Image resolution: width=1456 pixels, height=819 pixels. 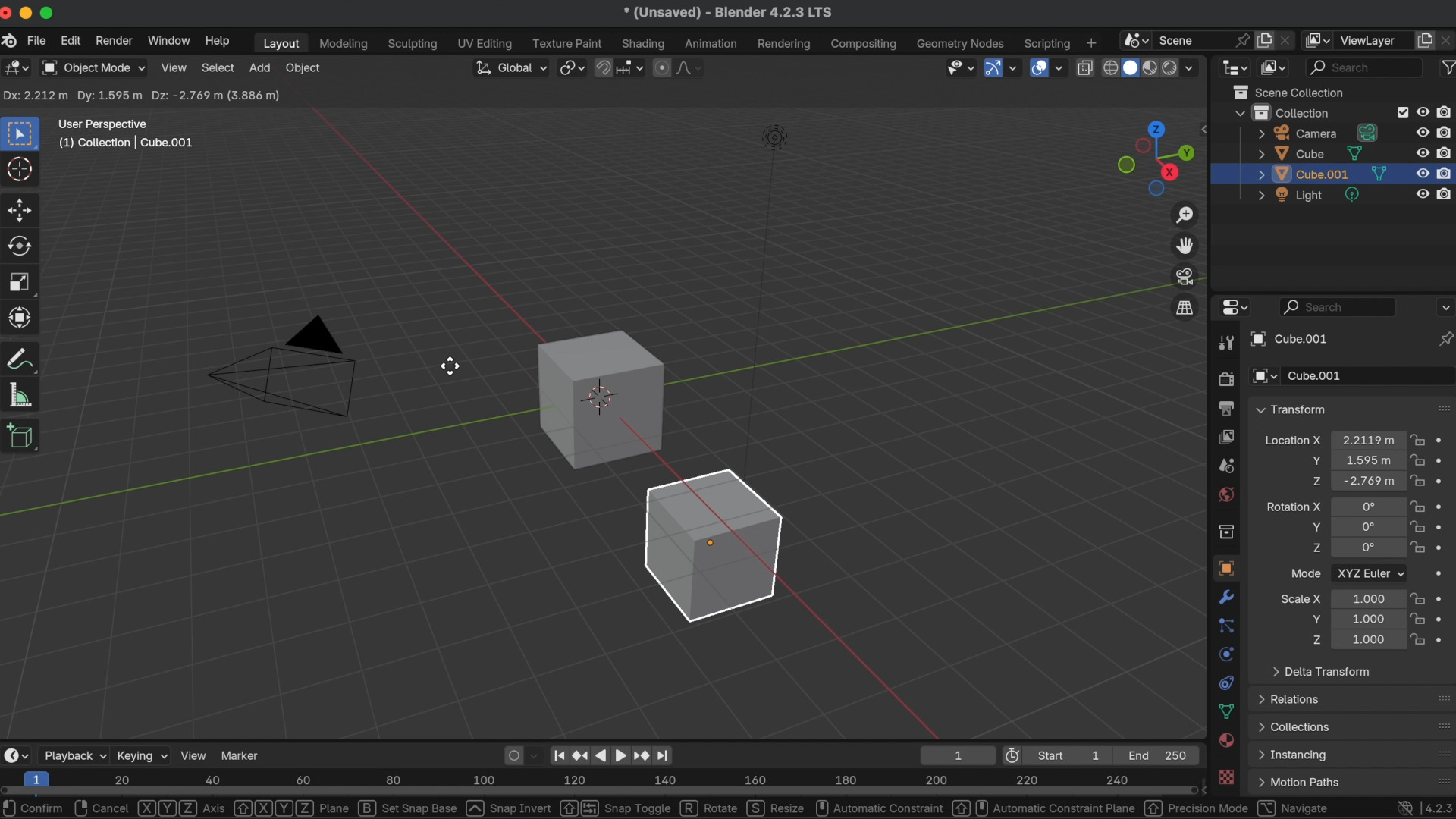 What do you see at coordinates (217, 41) in the screenshot?
I see `help` at bounding box center [217, 41].